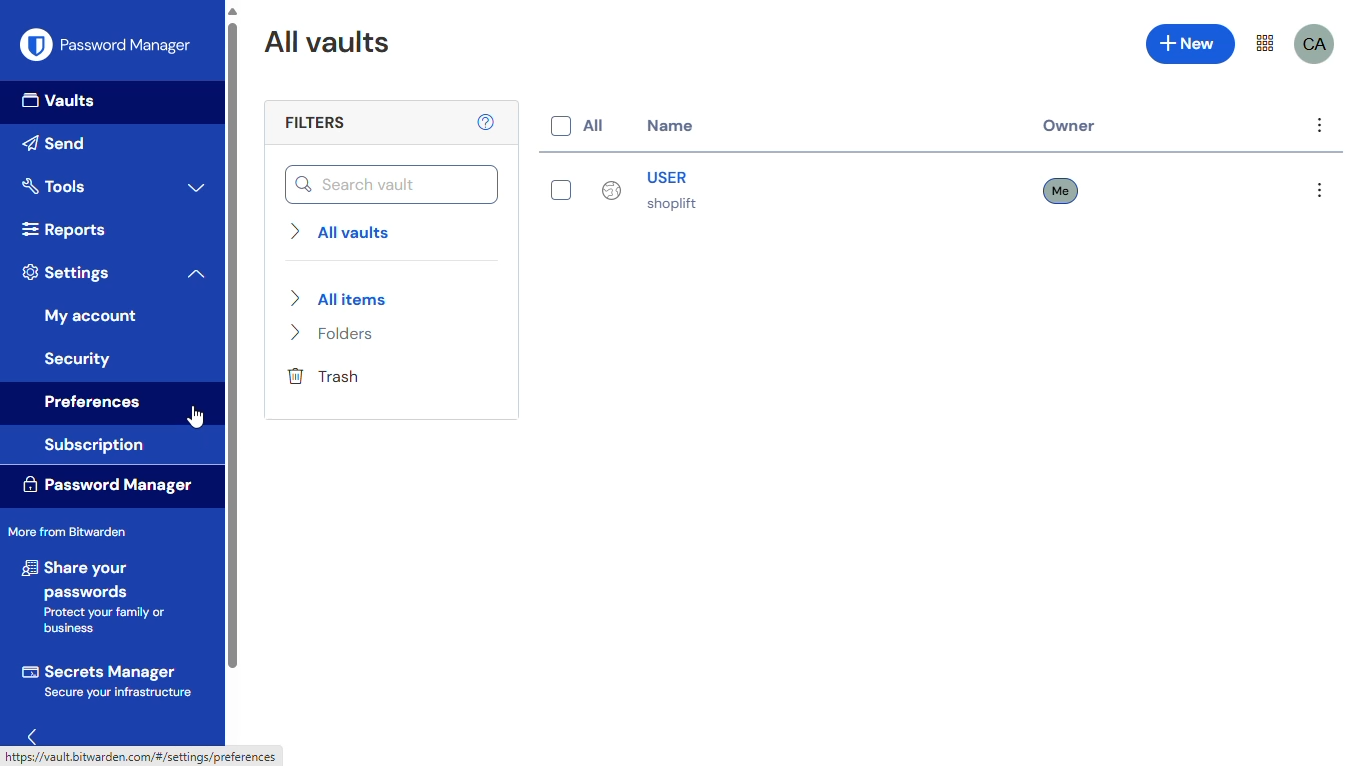 This screenshot has width=1366, height=766. What do you see at coordinates (107, 484) in the screenshot?
I see `password manager` at bounding box center [107, 484].